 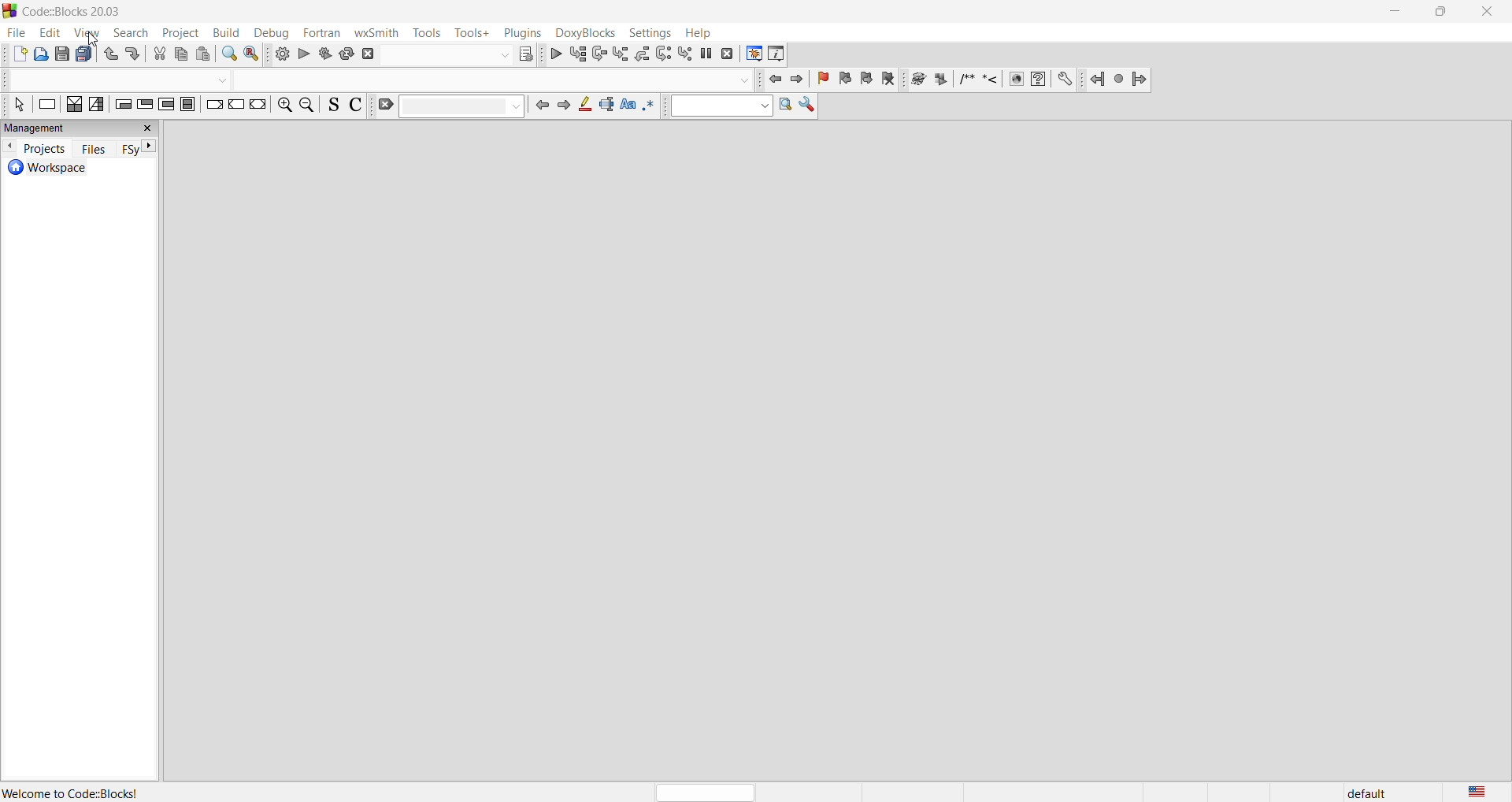 What do you see at coordinates (228, 33) in the screenshot?
I see `build` at bounding box center [228, 33].